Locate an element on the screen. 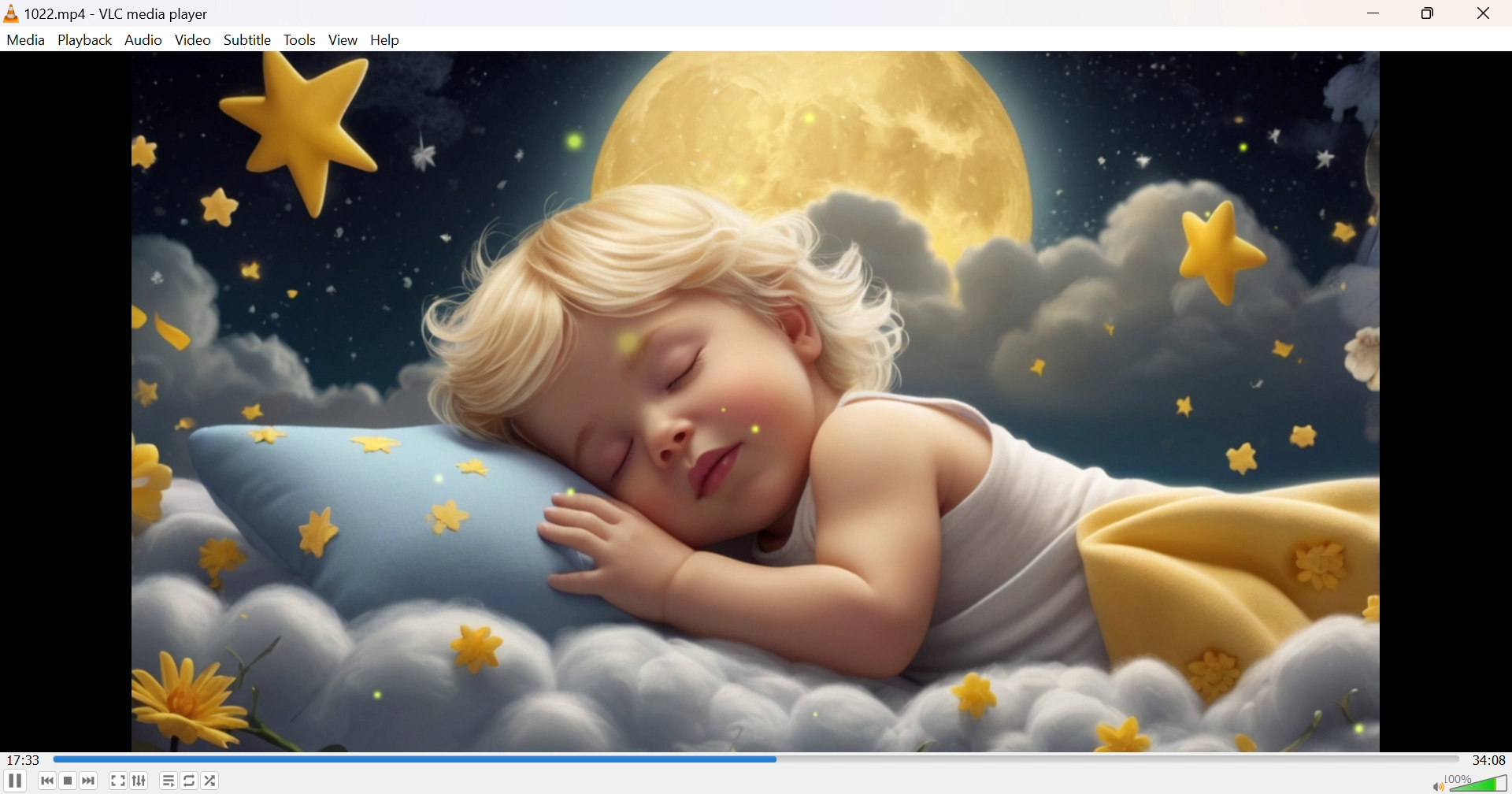 This screenshot has width=1512, height=794. Click to toggle between loop all, loop one and no loop is located at coordinates (190, 781).